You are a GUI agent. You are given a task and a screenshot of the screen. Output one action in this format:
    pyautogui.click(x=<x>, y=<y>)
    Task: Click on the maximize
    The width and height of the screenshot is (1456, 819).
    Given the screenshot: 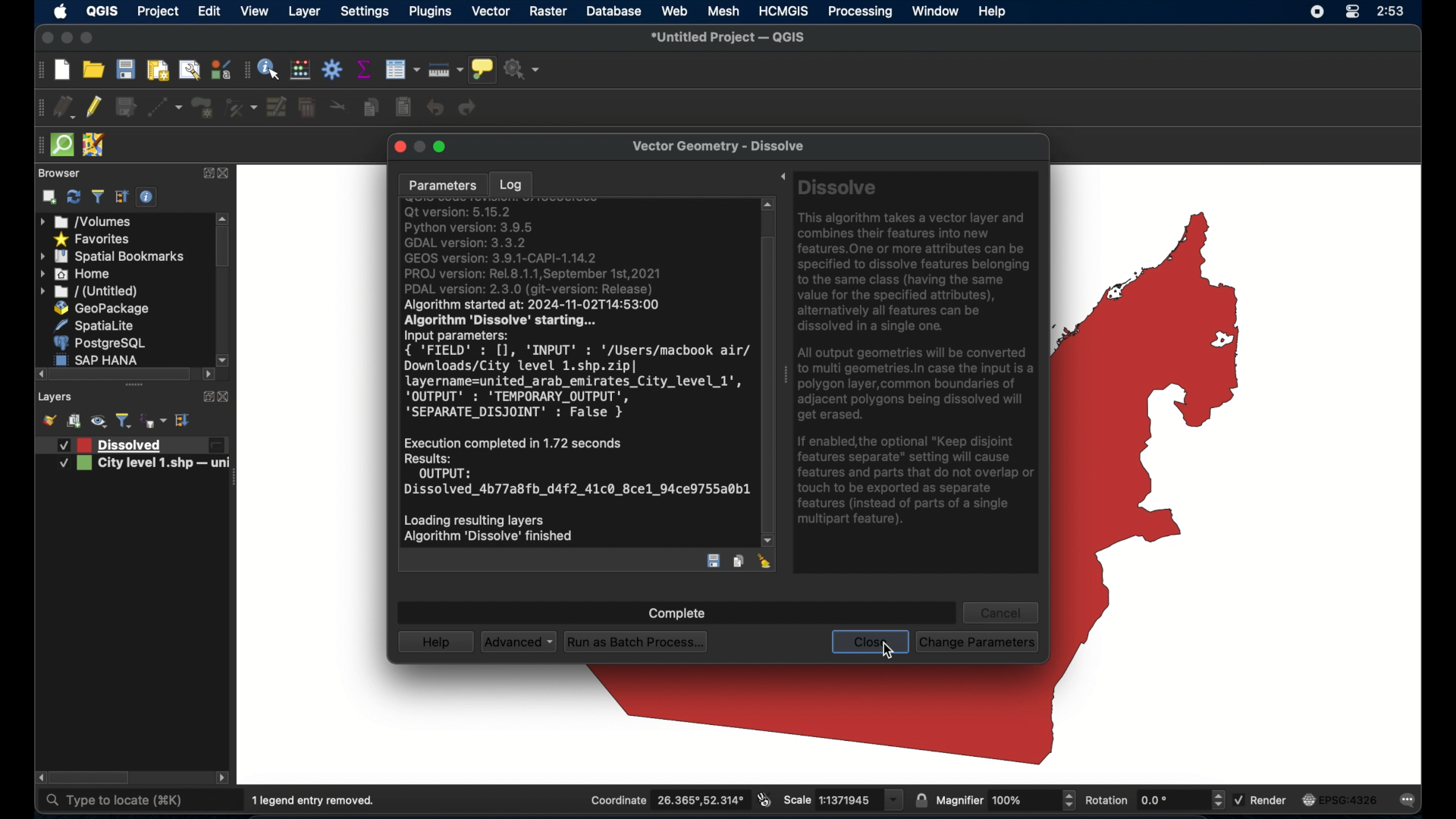 What is the action you would take?
    pyautogui.click(x=442, y=146)
    